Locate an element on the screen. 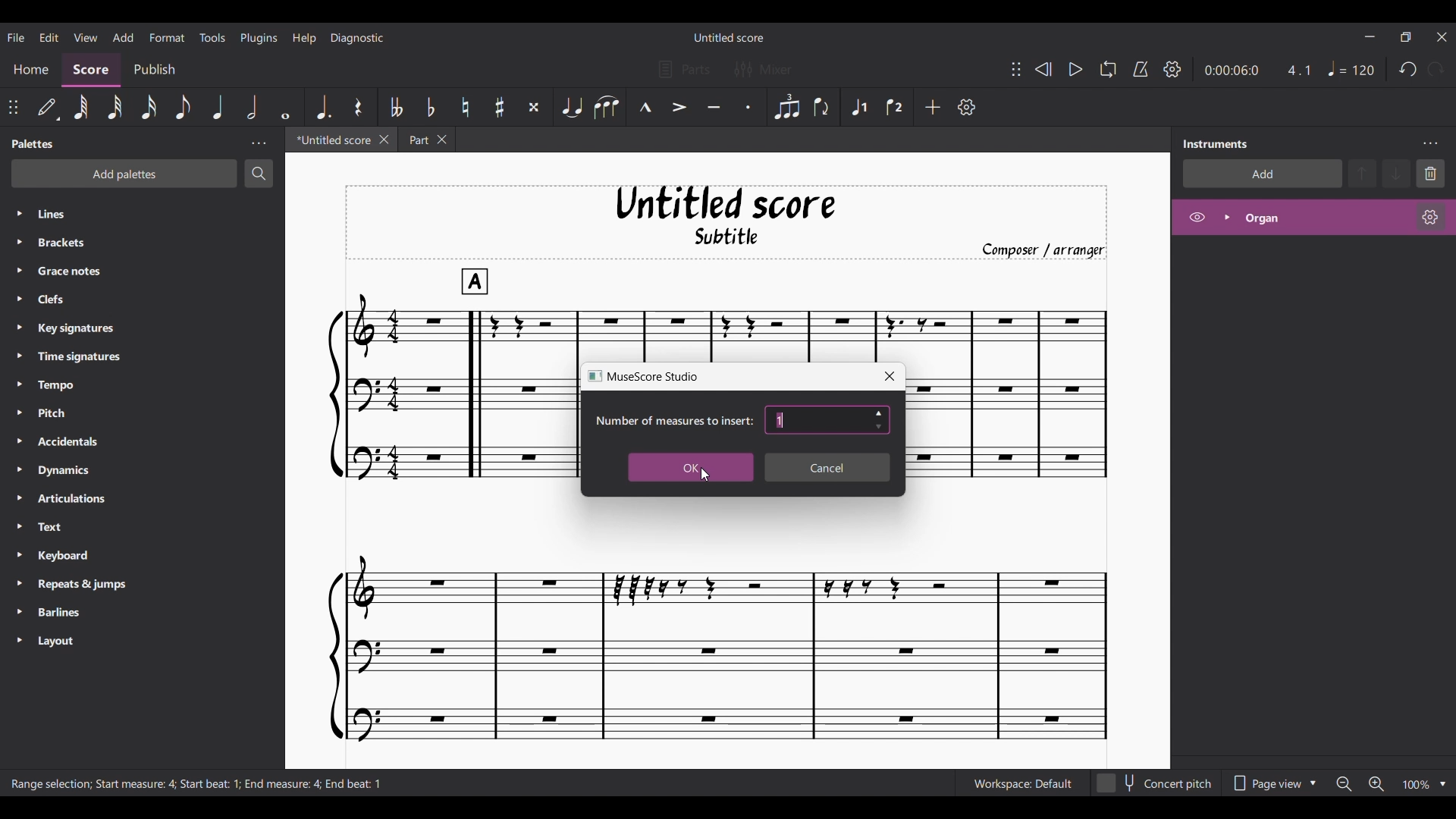 The width and height of the screenshot is (1456, 819). Slur is located at coordinates (607, 108).